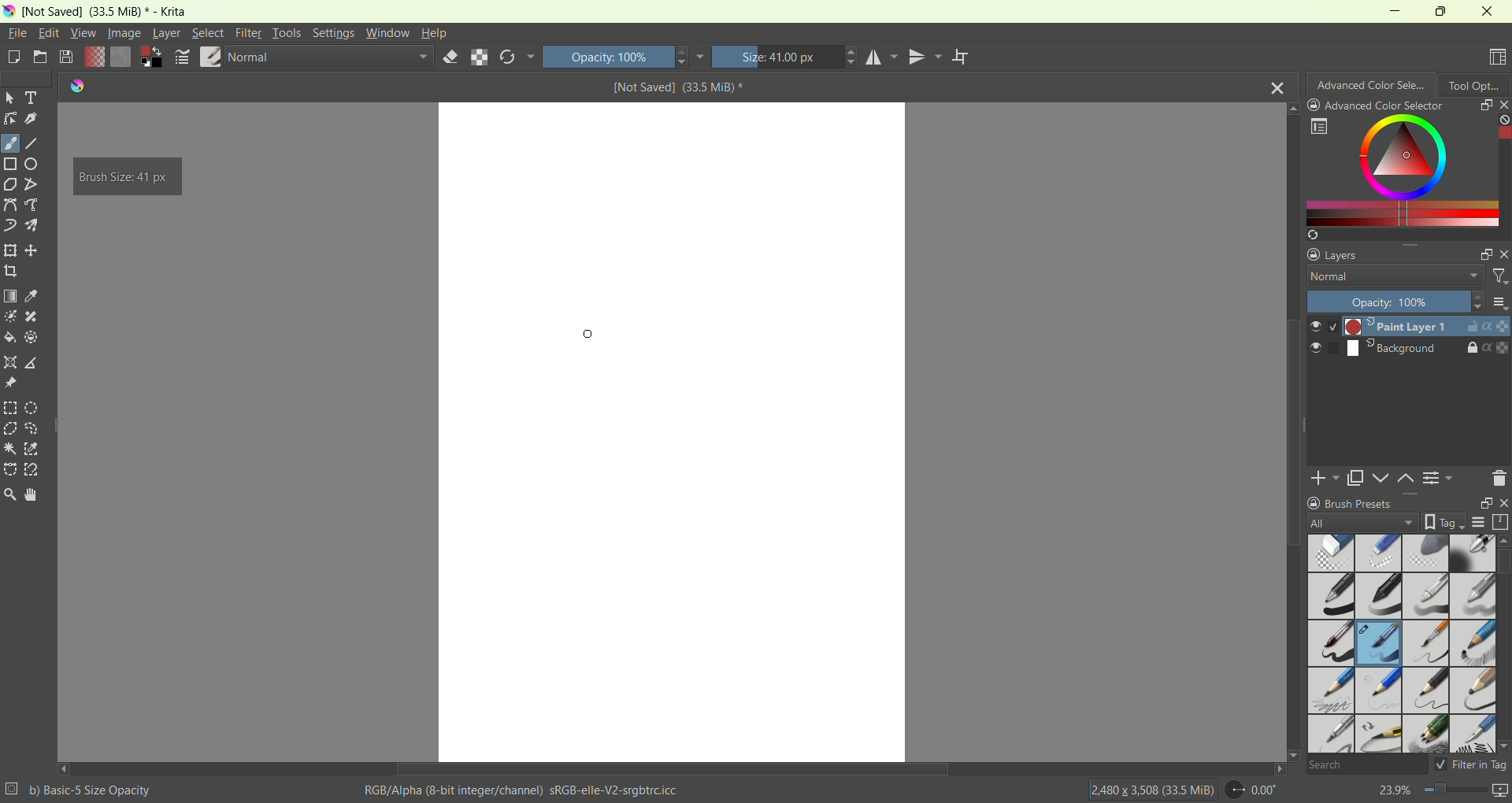 The width and height of the screenshot is (1512, 803). Describe the element at coordinates (328, 59) in the screenshot. I see `normal` at that location.